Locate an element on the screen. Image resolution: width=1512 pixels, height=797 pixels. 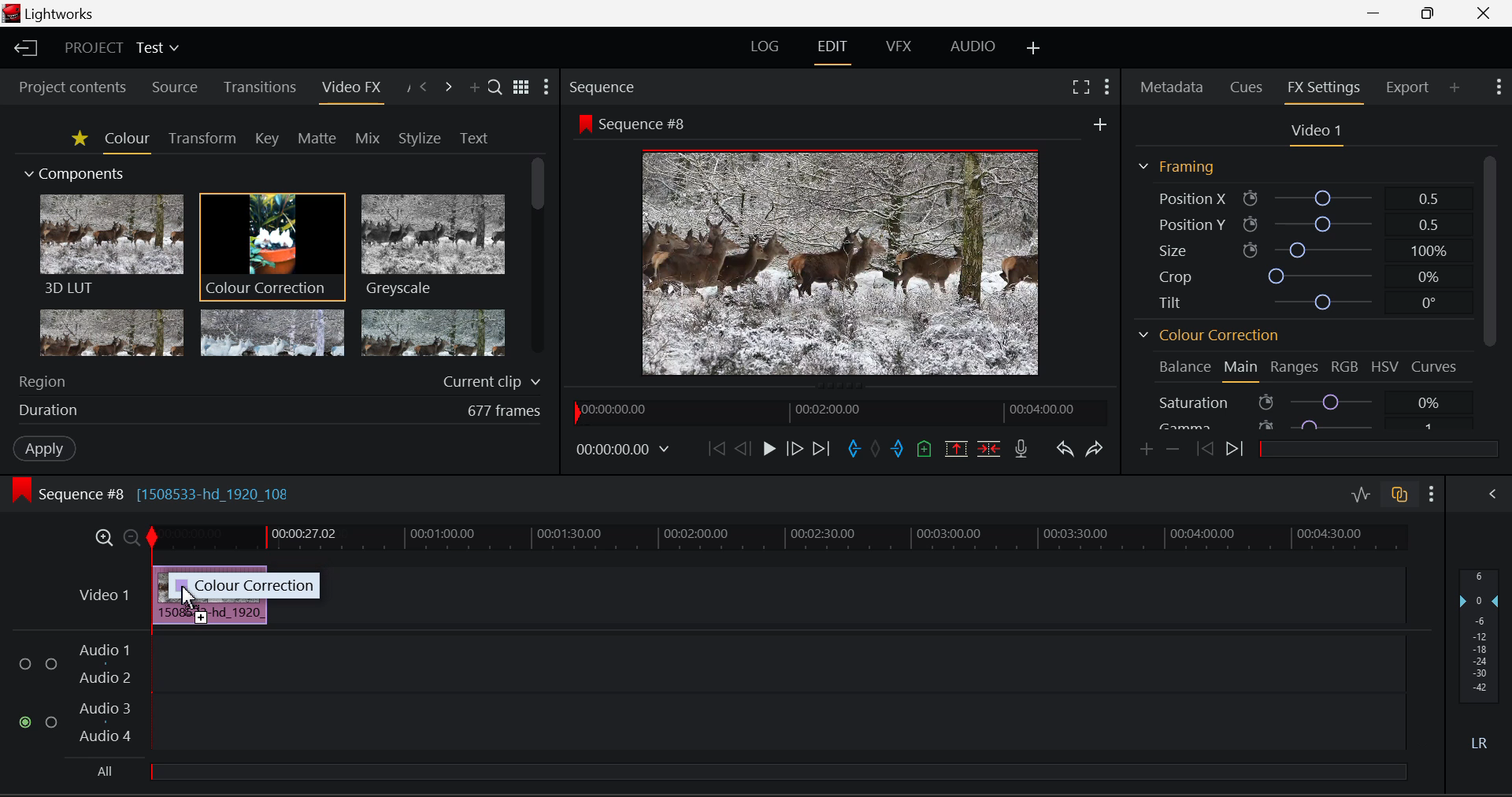
Transform is located at coordinates (202, 139).